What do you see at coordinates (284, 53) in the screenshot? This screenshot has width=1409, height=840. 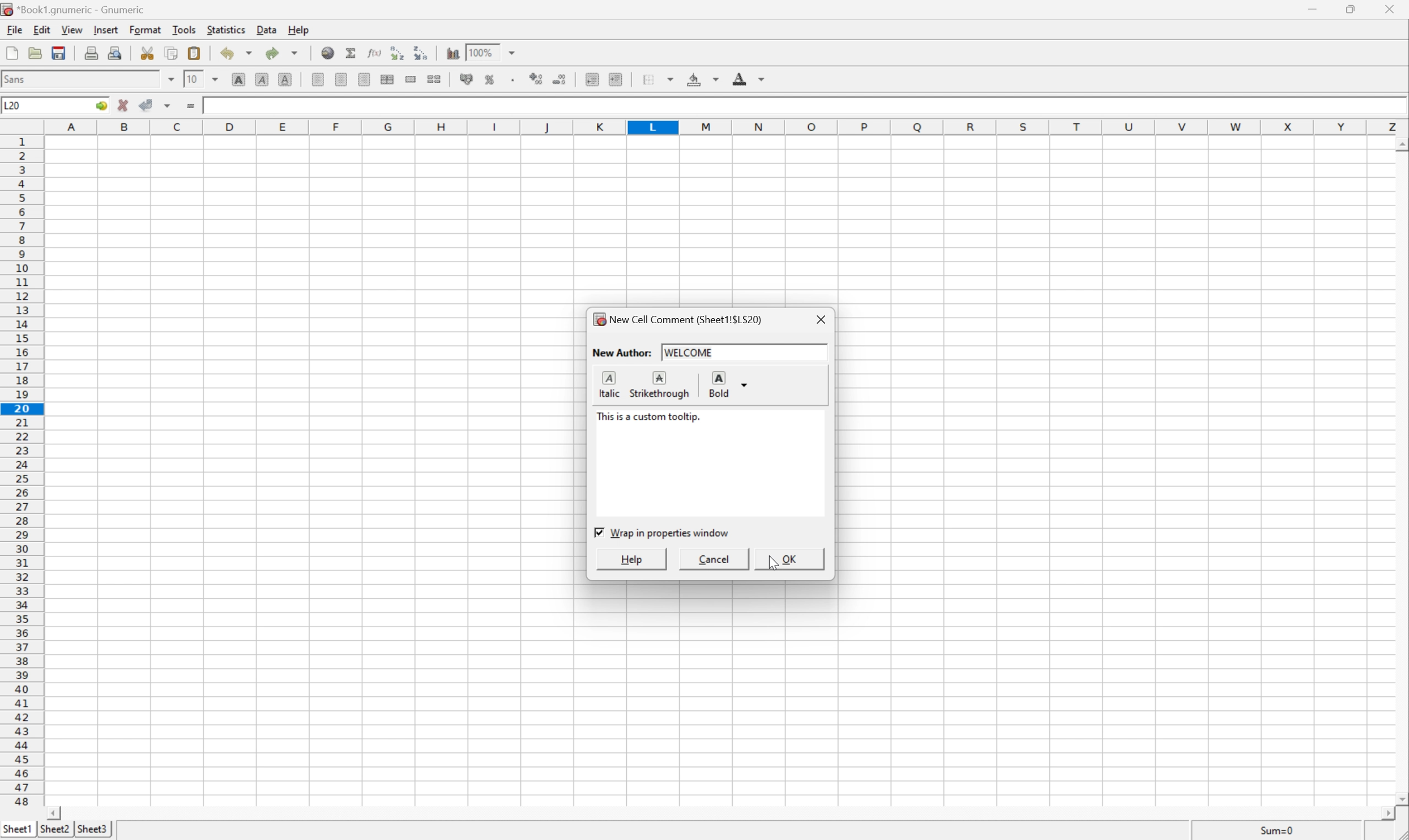 I see `Redo` at bounding box center [284, 53].